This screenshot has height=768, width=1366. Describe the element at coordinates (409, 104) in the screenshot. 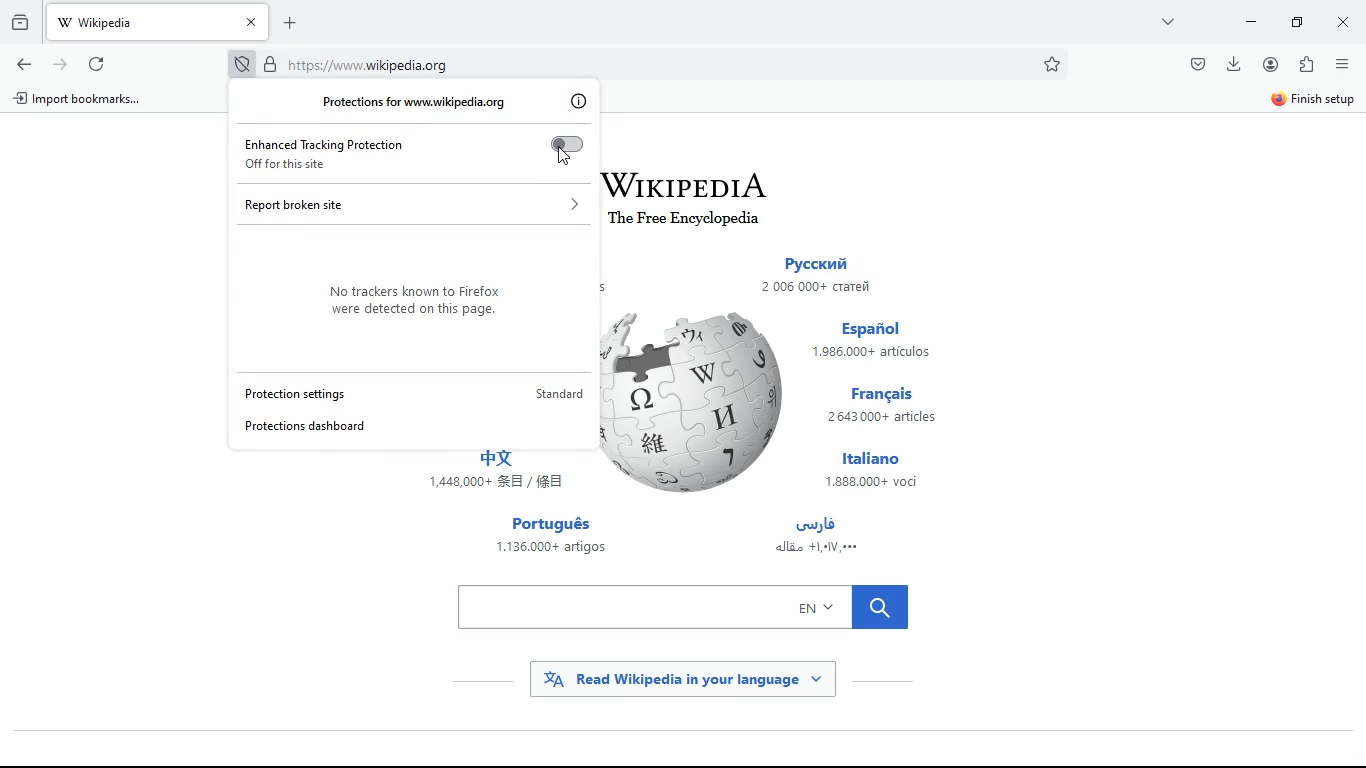

I see `protection for www.wikipedia.org` at that location.